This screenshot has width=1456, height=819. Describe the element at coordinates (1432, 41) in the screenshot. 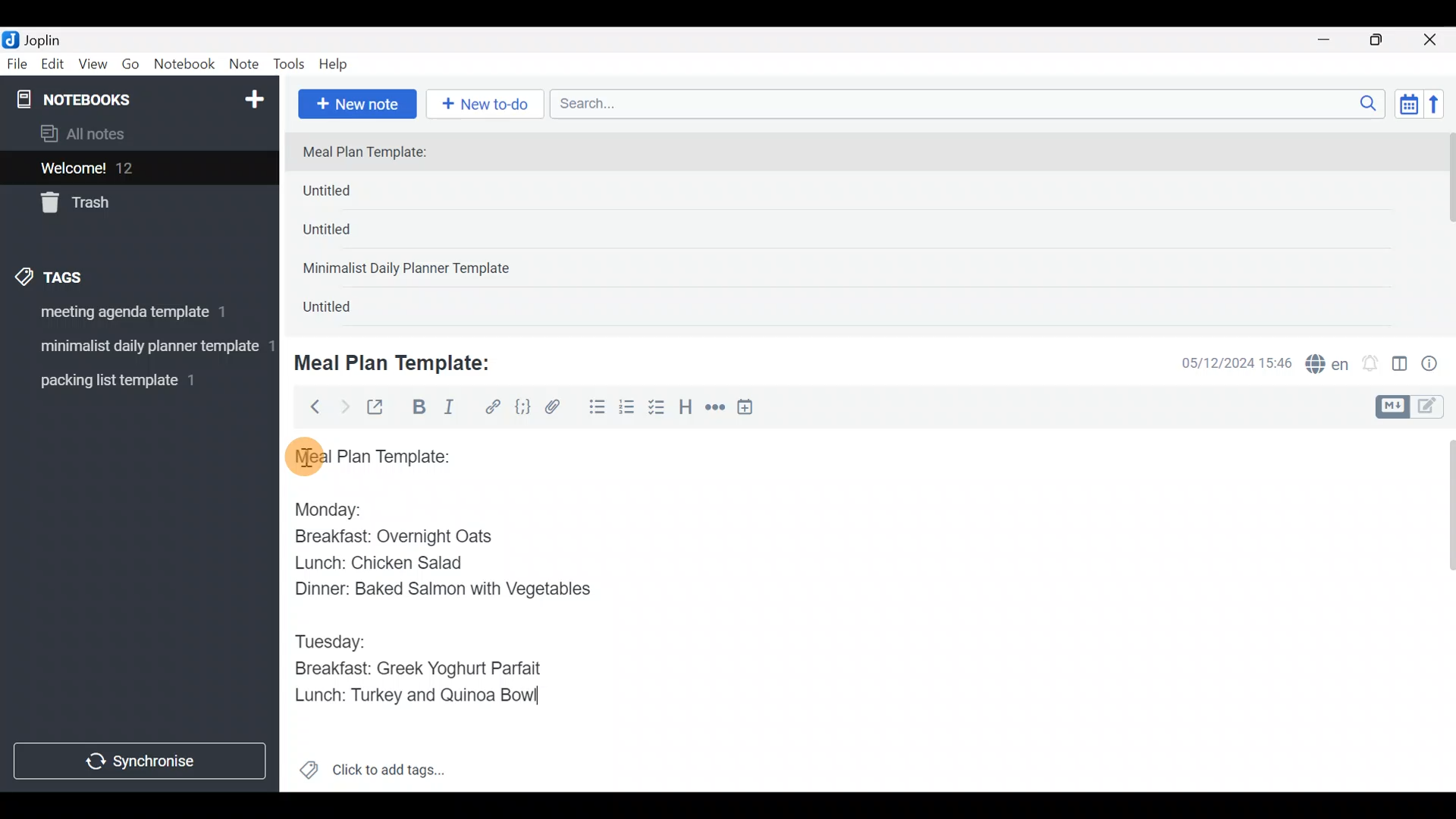

I see `Close` at that location.